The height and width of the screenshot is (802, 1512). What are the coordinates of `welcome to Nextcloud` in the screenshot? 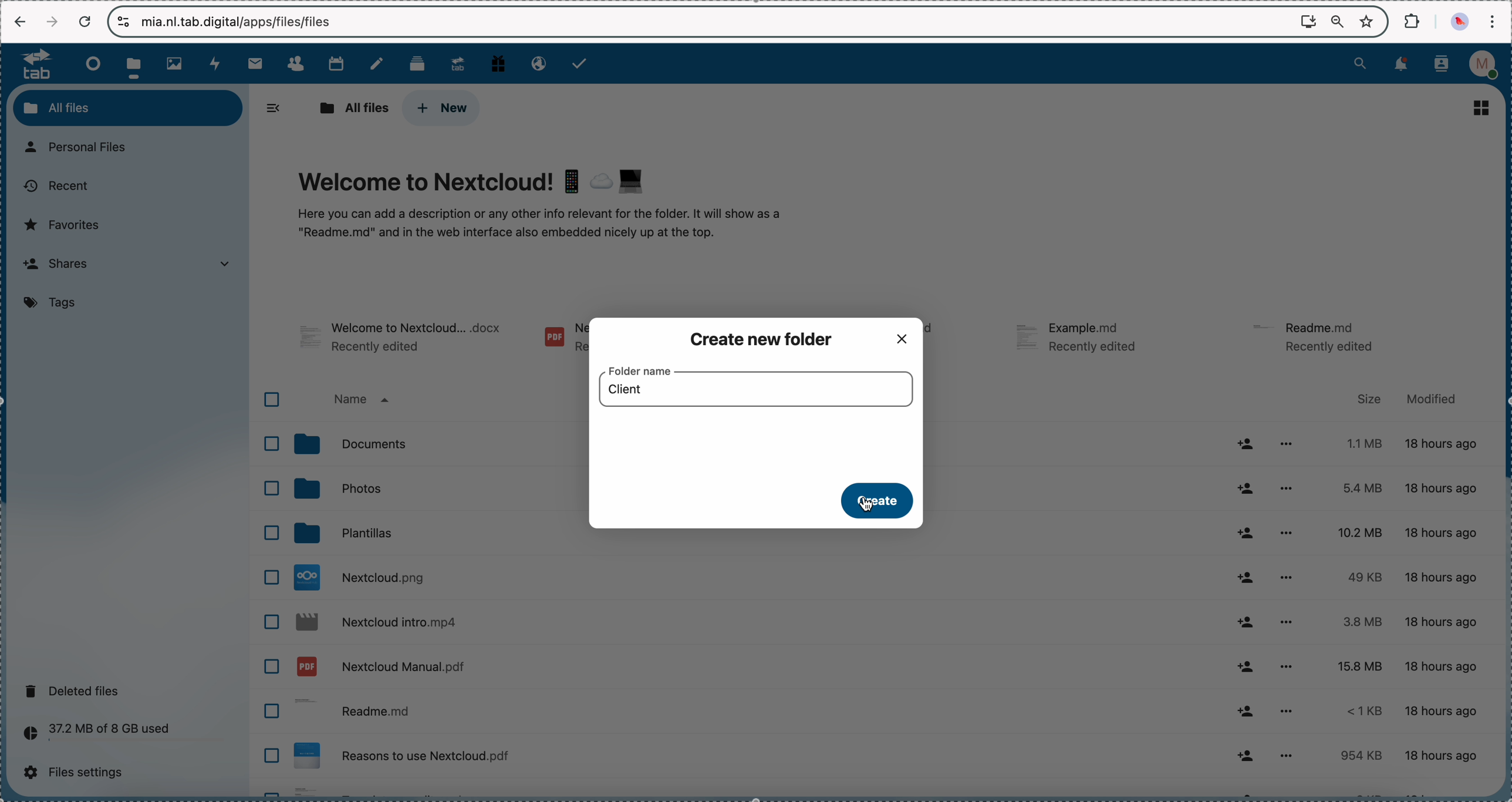 It's located at (542, 205).